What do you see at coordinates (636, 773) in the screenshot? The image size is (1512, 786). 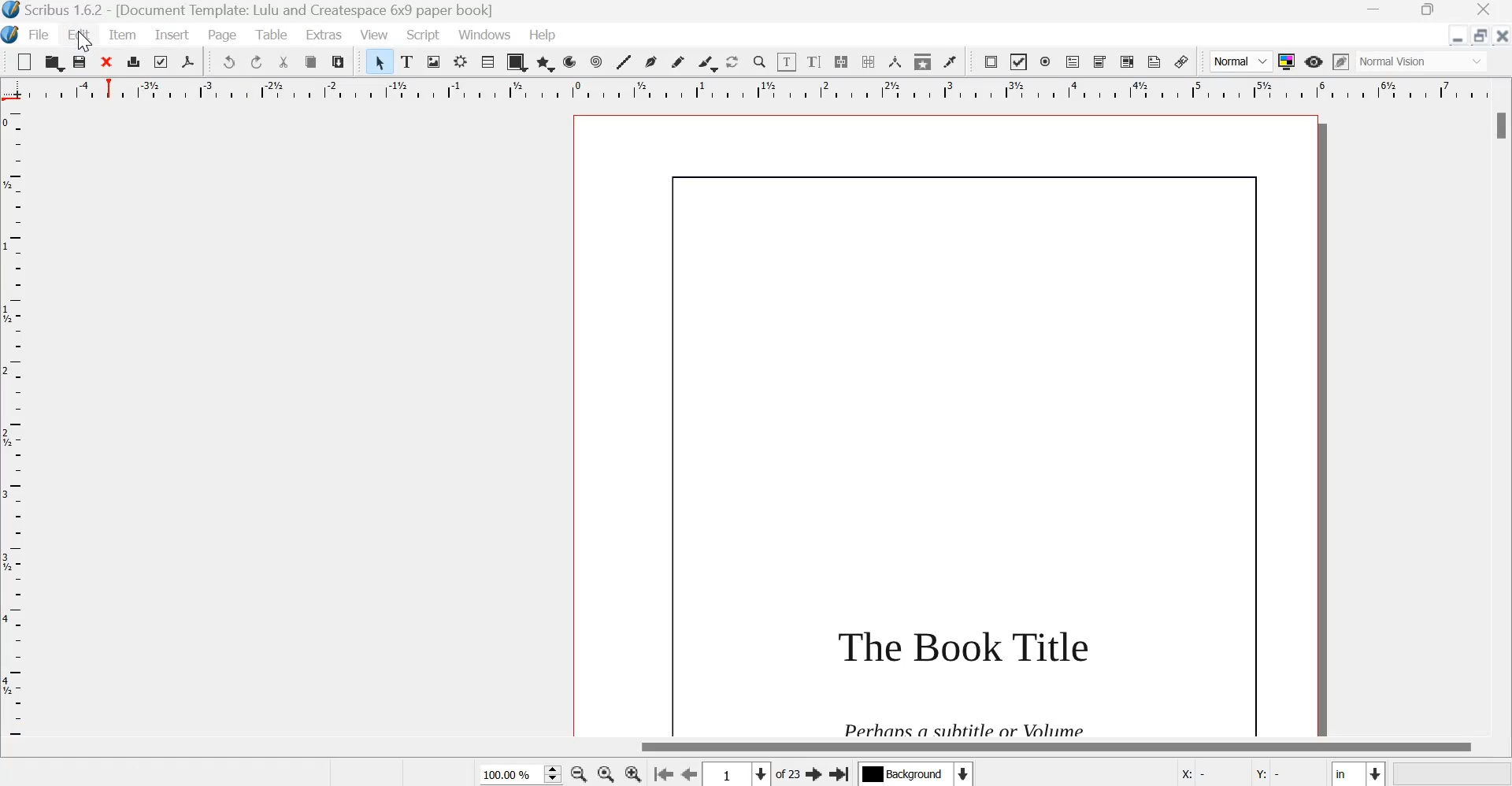 I see `Zoom in` at bounding box center [636, 773].